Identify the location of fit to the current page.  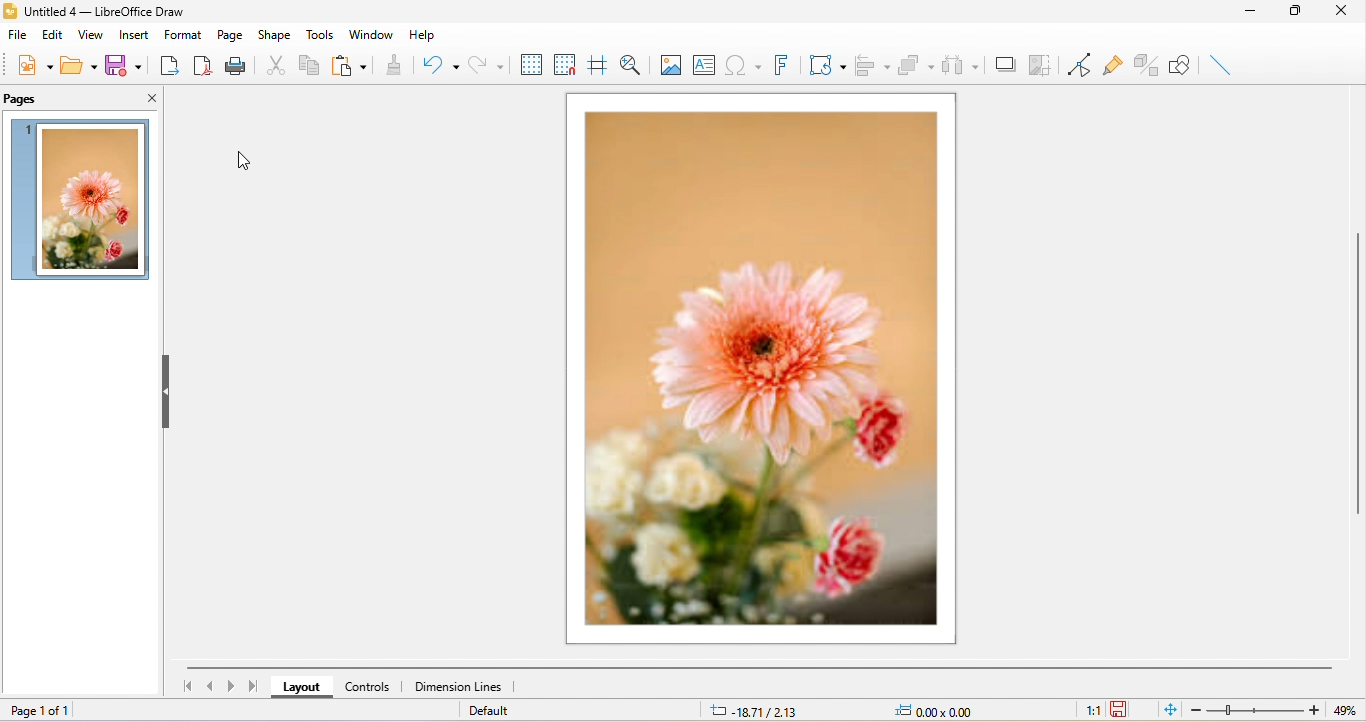
(1168, 711).